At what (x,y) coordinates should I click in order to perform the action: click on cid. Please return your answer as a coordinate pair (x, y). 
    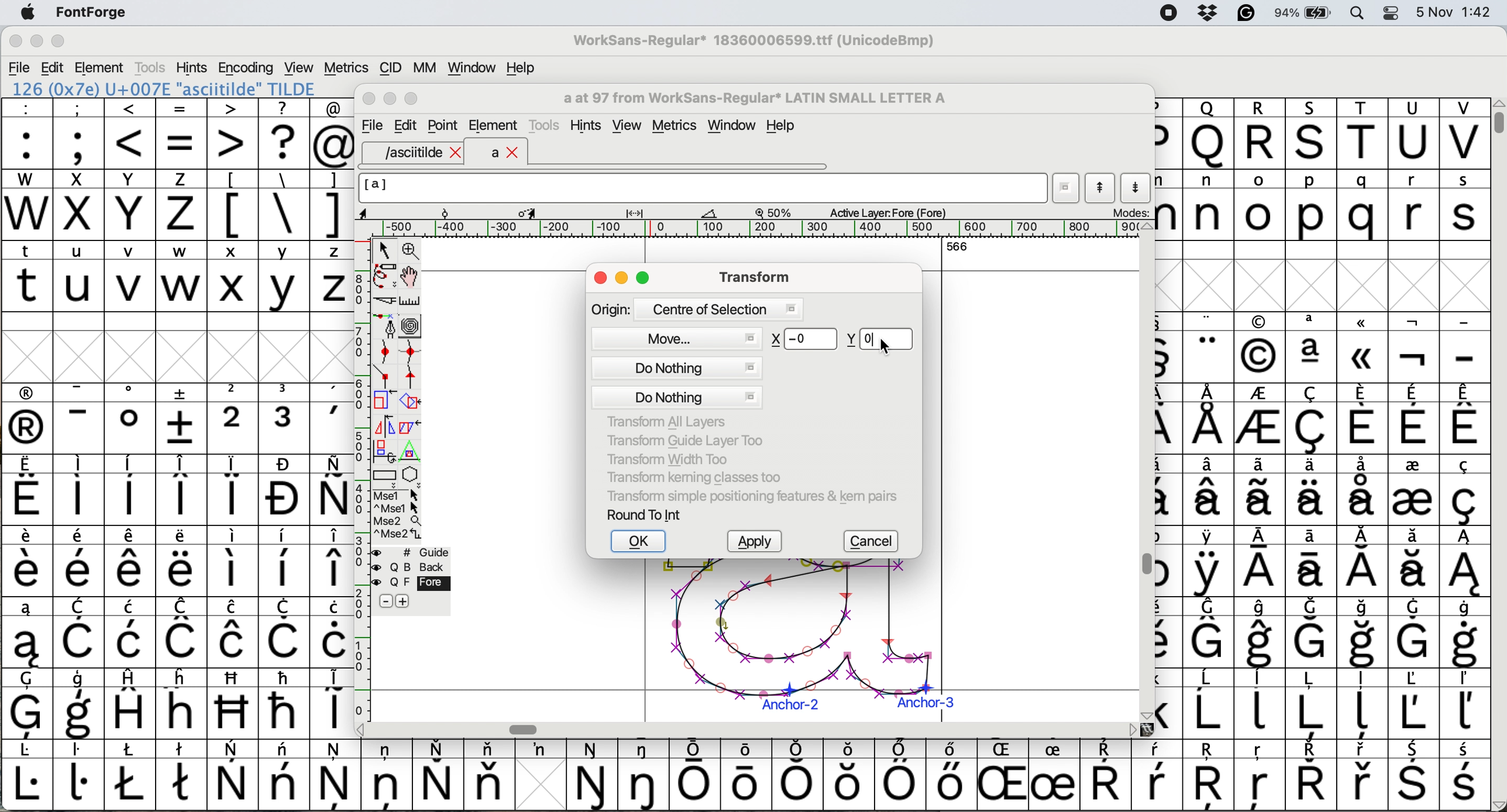
    Looking at the image, I should click on (389, 68).